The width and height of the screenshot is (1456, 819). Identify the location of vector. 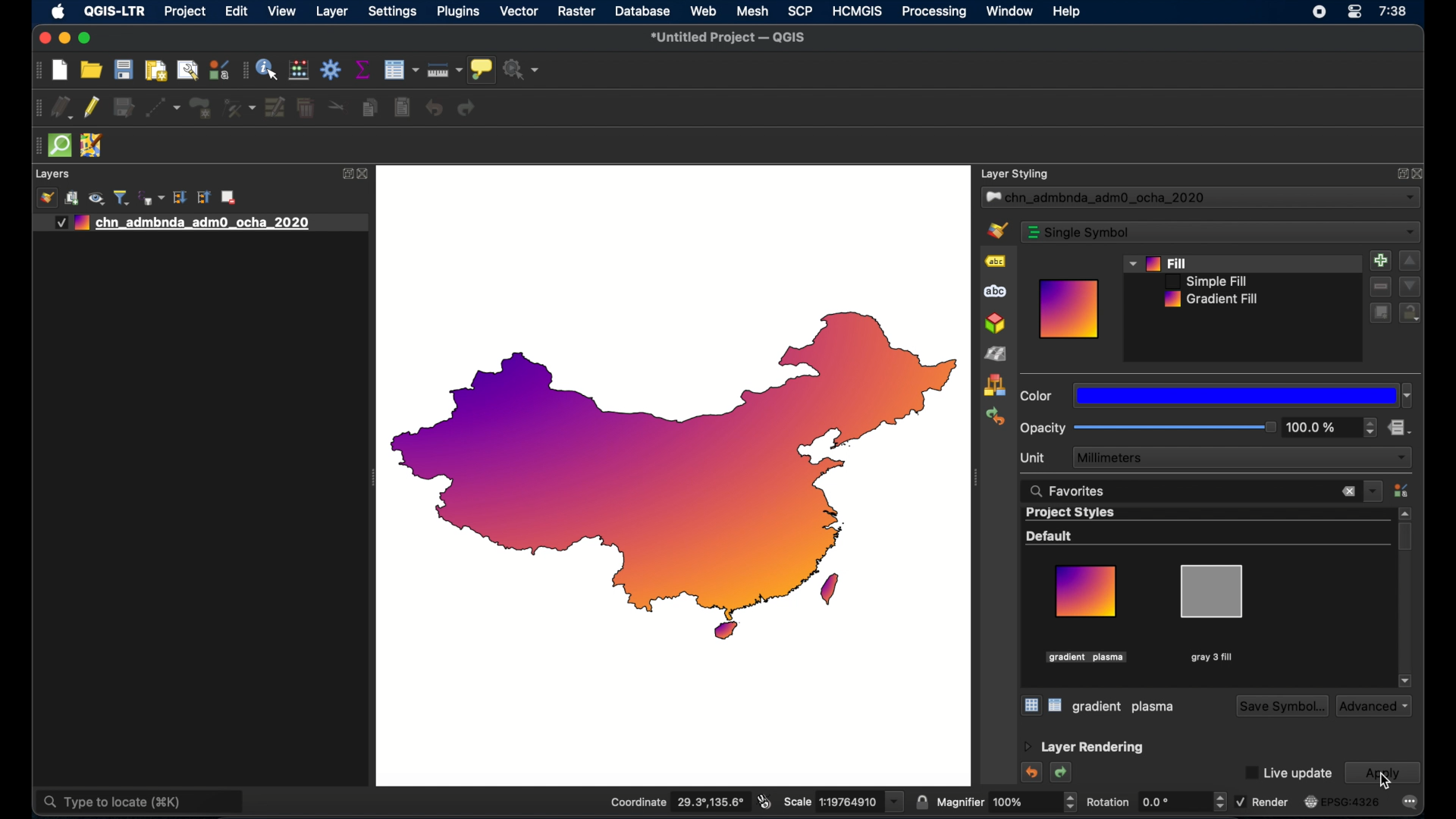
(519, 11).